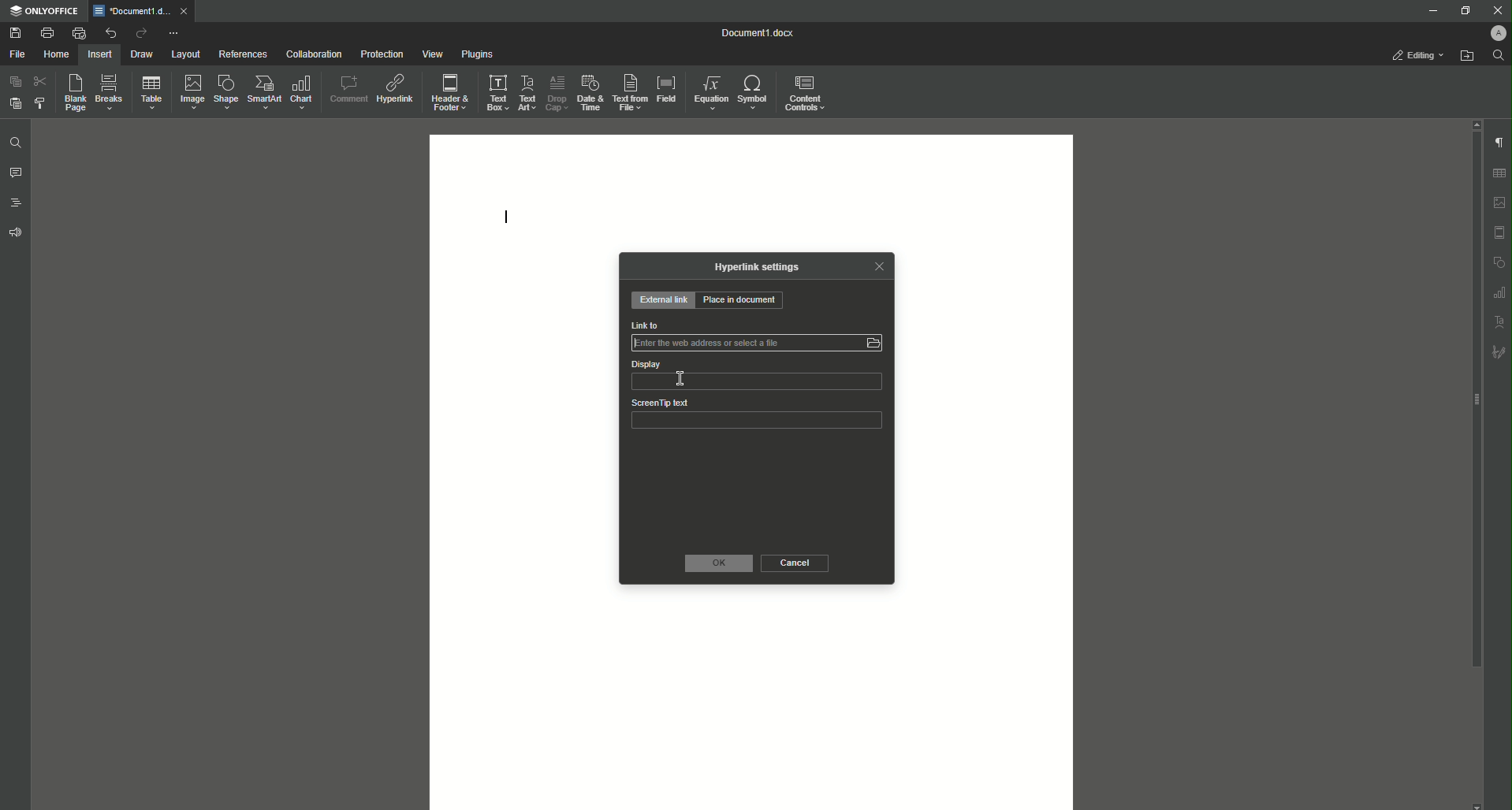 The height and width of the screenshot is (810, 1512). I want to click on ScreenTip text, so click(661, 403).